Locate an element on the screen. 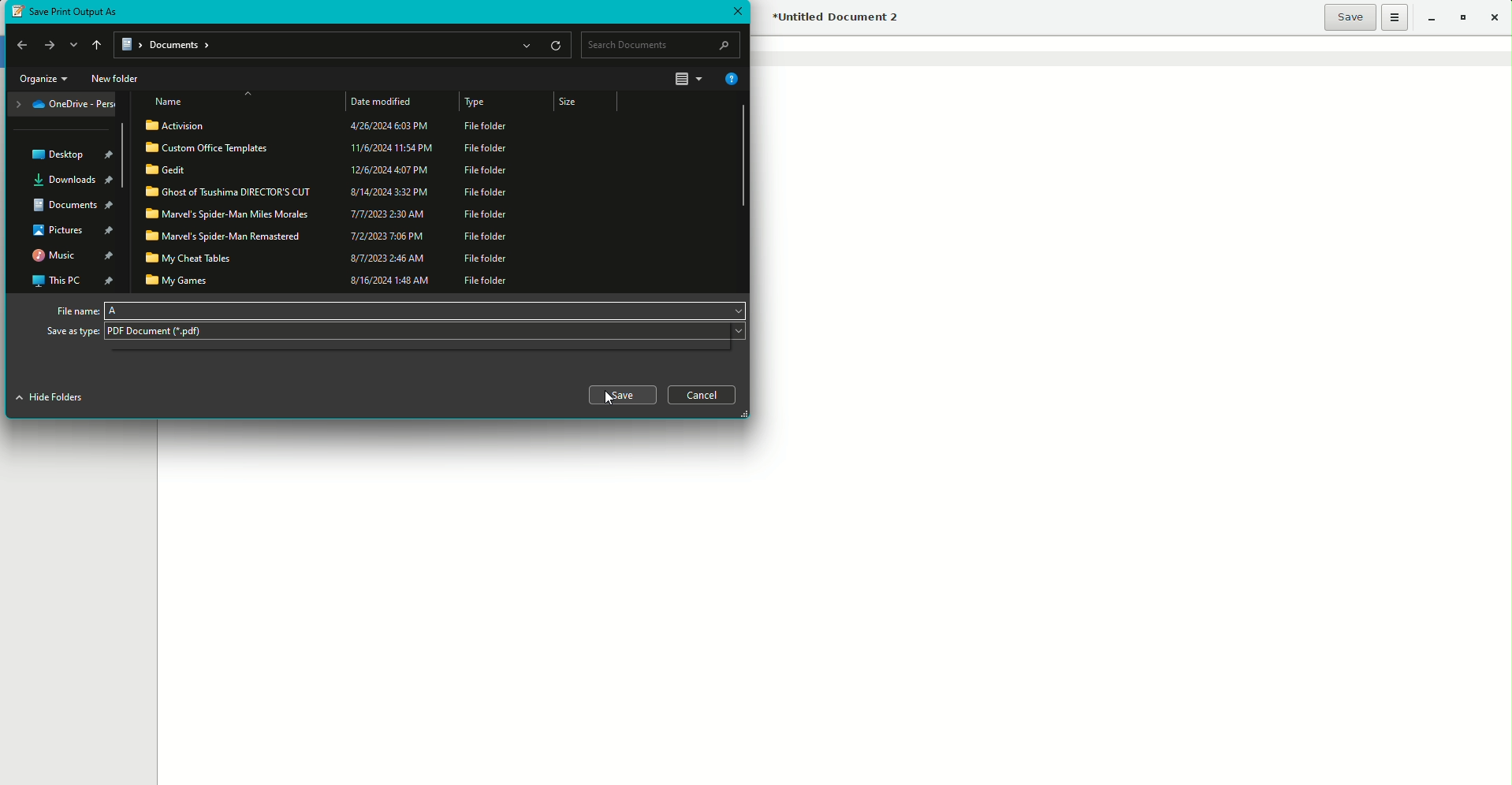 This screenshot has width=1512, height=785. Restore is located at coordinates (1462, 18).